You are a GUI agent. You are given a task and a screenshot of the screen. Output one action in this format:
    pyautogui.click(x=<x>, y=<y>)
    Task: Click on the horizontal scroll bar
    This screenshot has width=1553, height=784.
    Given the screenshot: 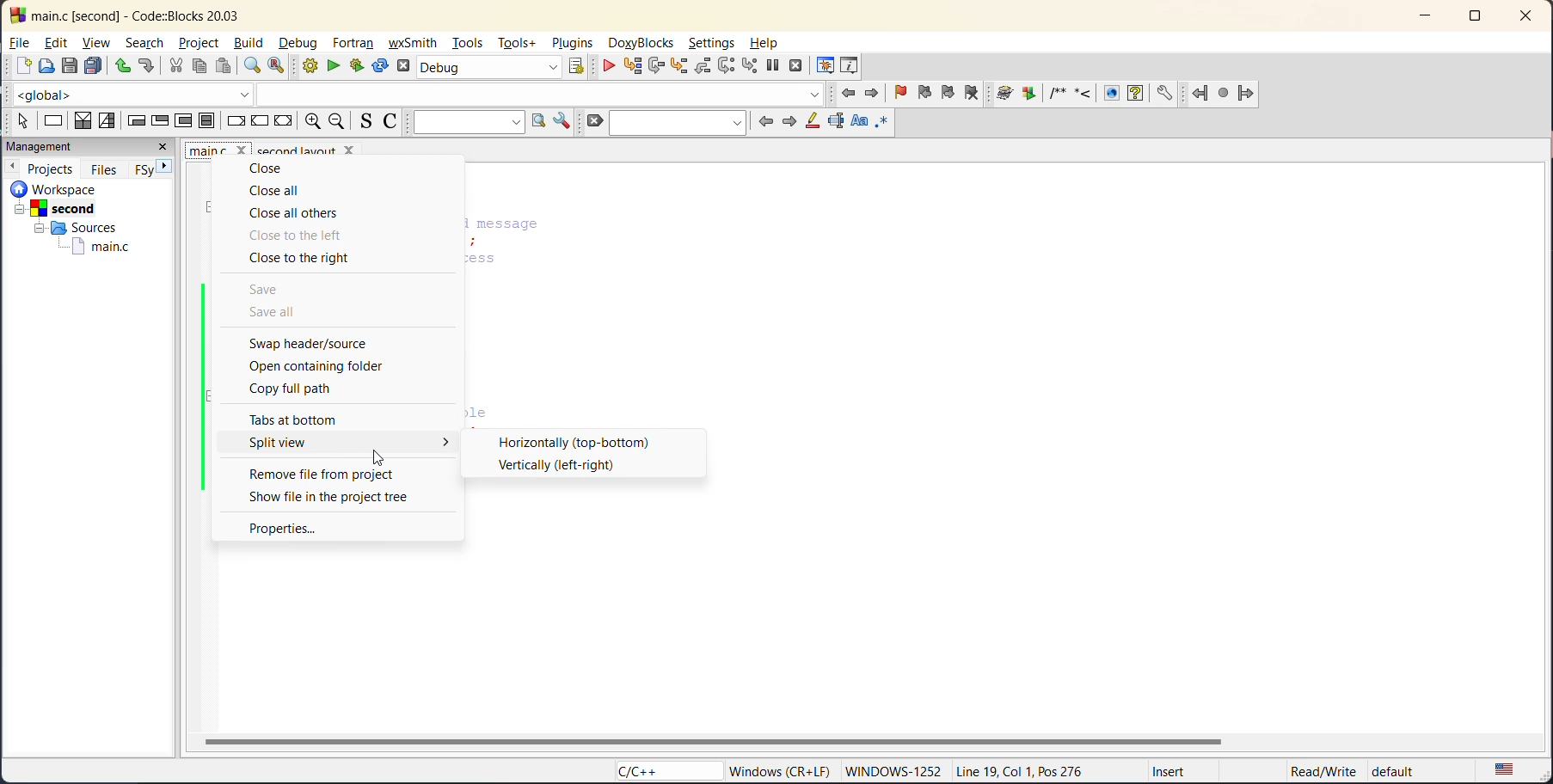 What is the action you would take?
    pyautogui.click(x=710, y=740)
    